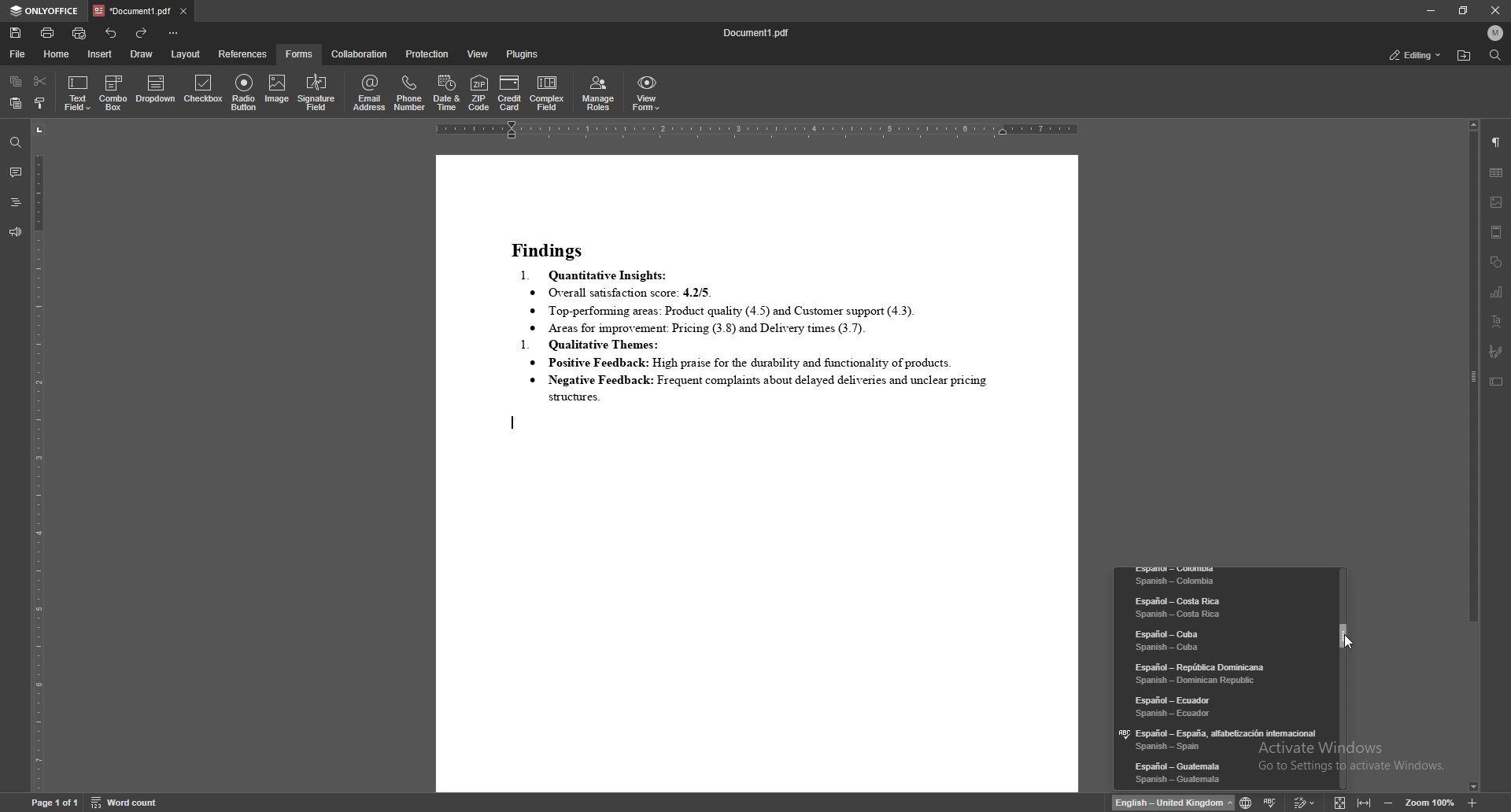 Image resolution: width=1511 pixels, height=812 pixels. I want to click on close, so click(1493, 10).